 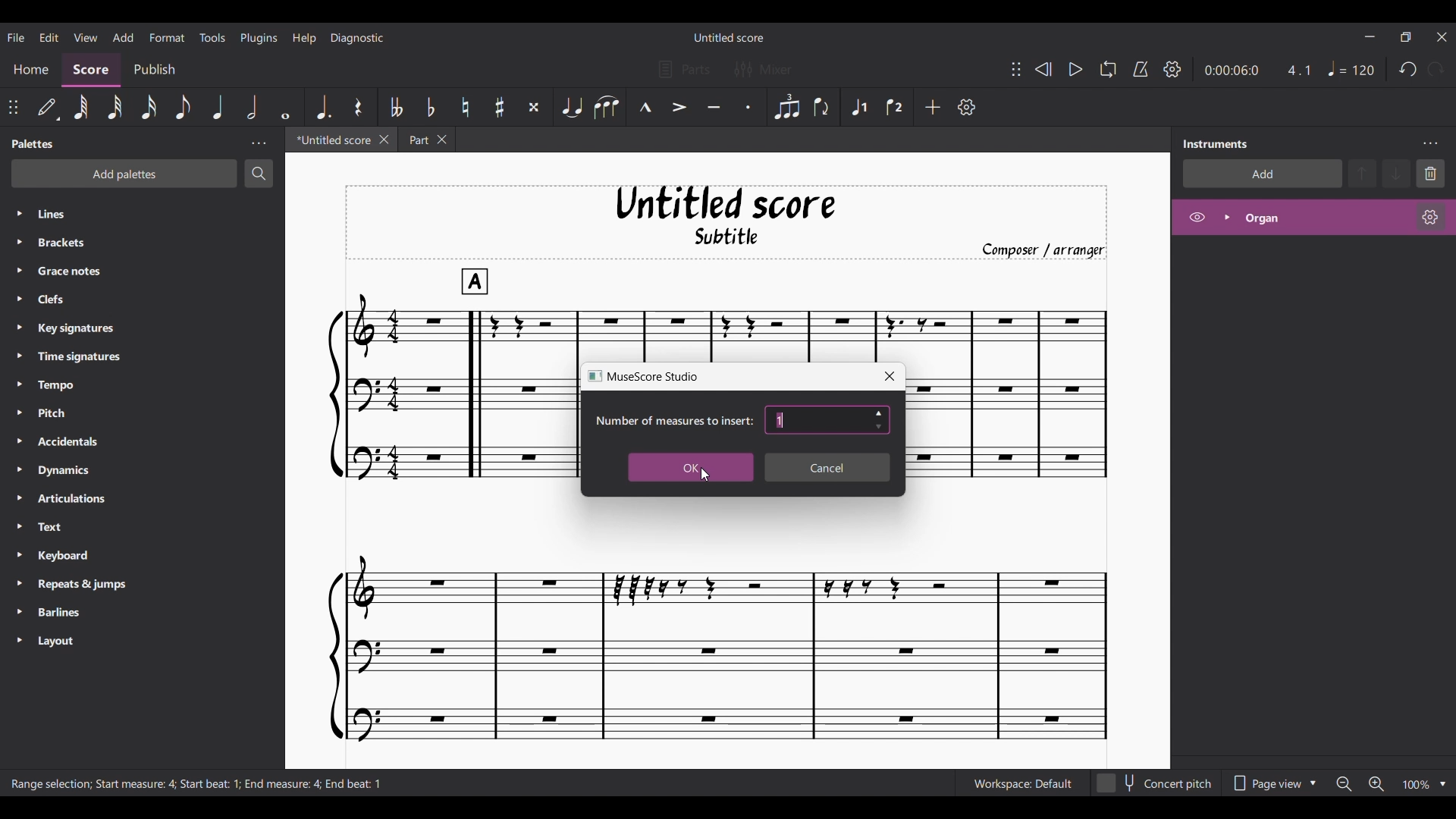 What do you see at coordinates (430, 106) in the screenshot?
I see `Toggle flat` at bounding box center [430, 106].